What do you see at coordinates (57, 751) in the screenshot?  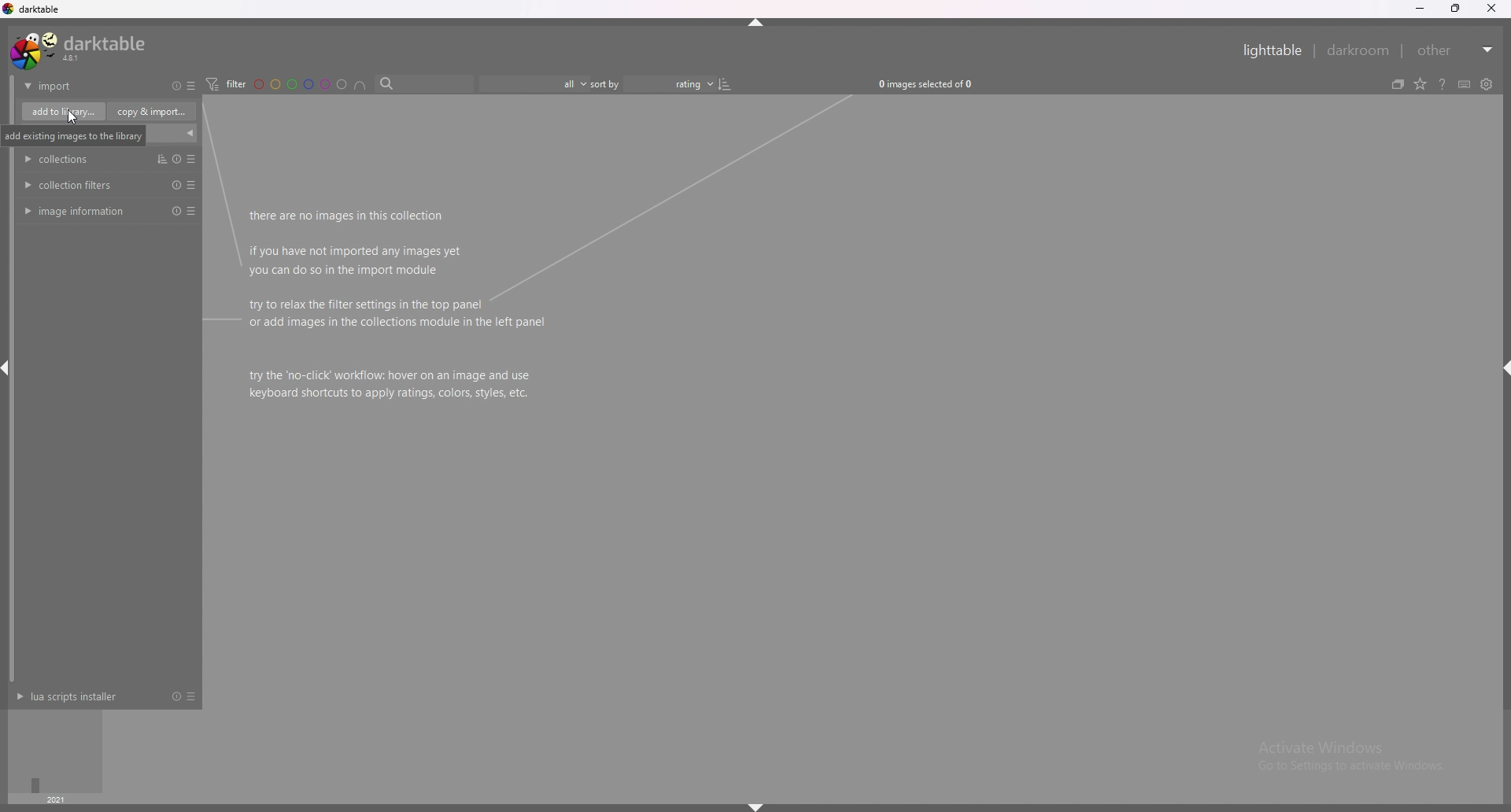 I see `time selector` at bounding box center [57, 751].